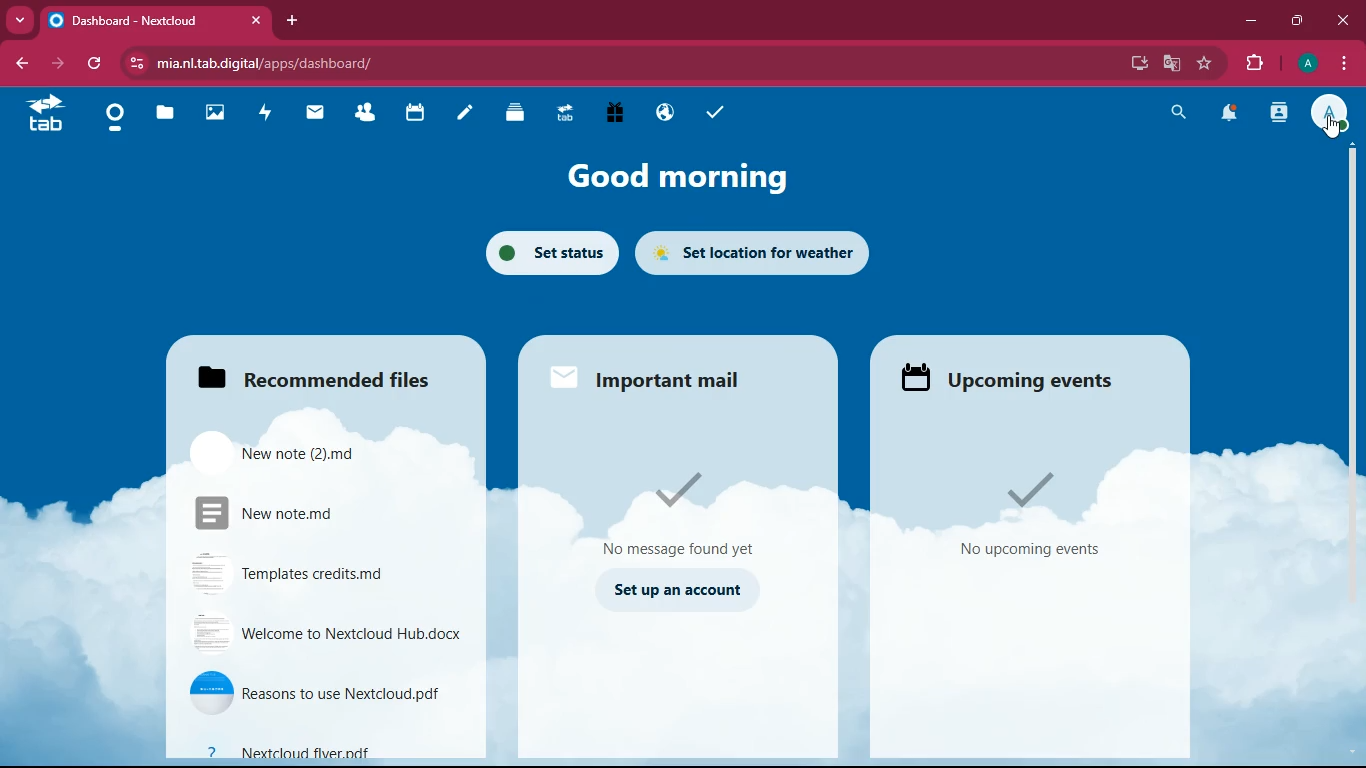 Image resolution: width=1366 pixels, height=768 pixels. I want to click on add tab, so click(295, 20).